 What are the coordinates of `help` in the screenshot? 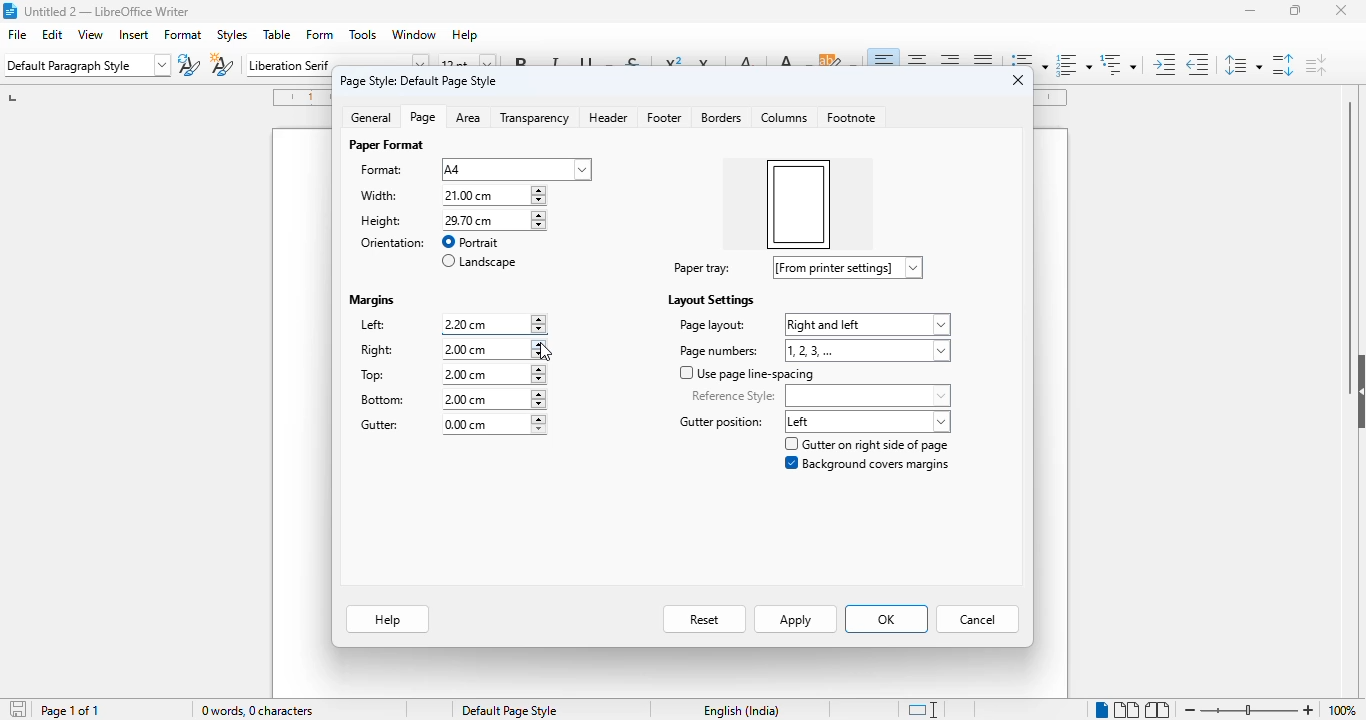 It's located at (465, 35).